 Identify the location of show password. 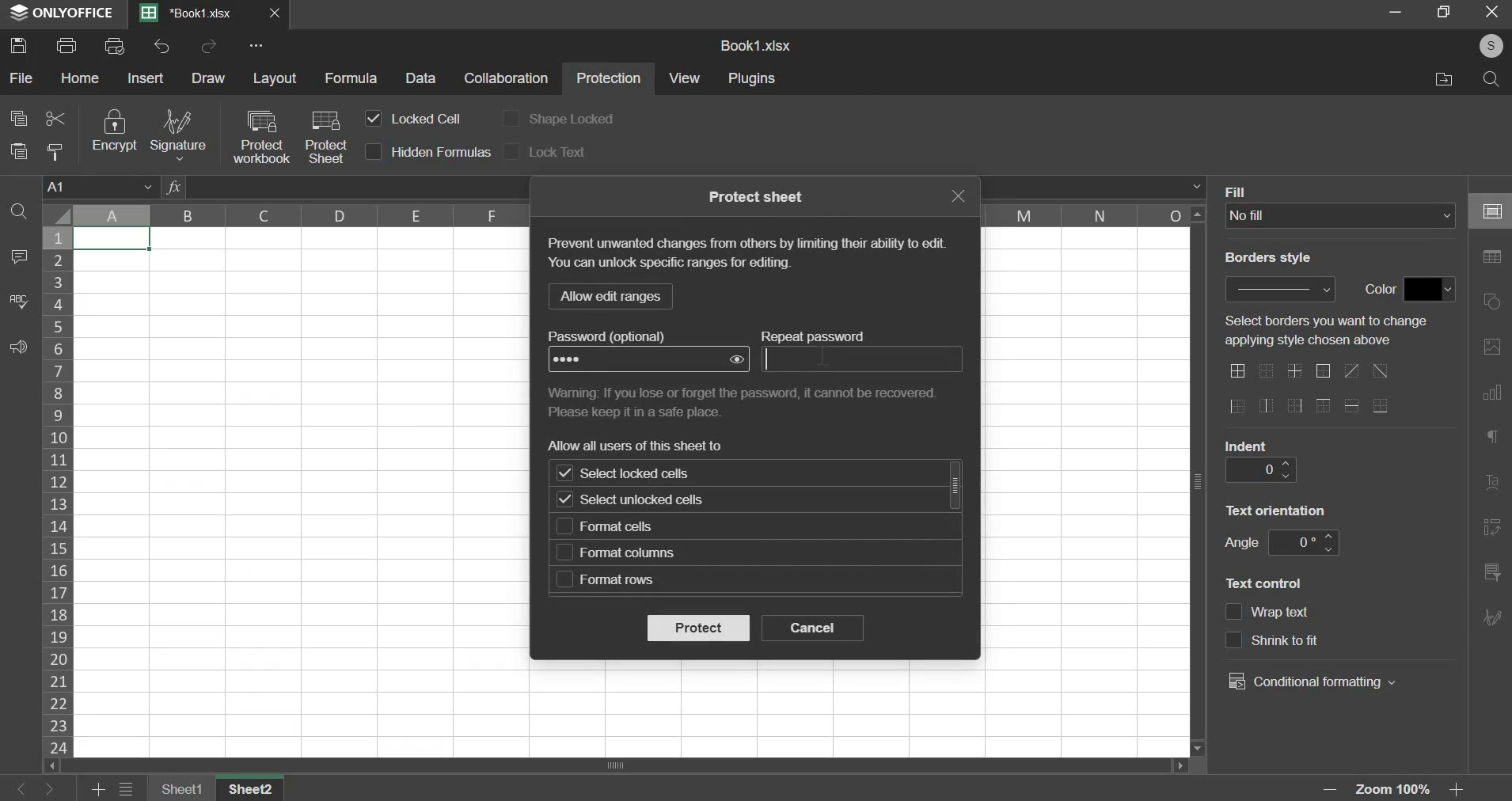
(738, 359).